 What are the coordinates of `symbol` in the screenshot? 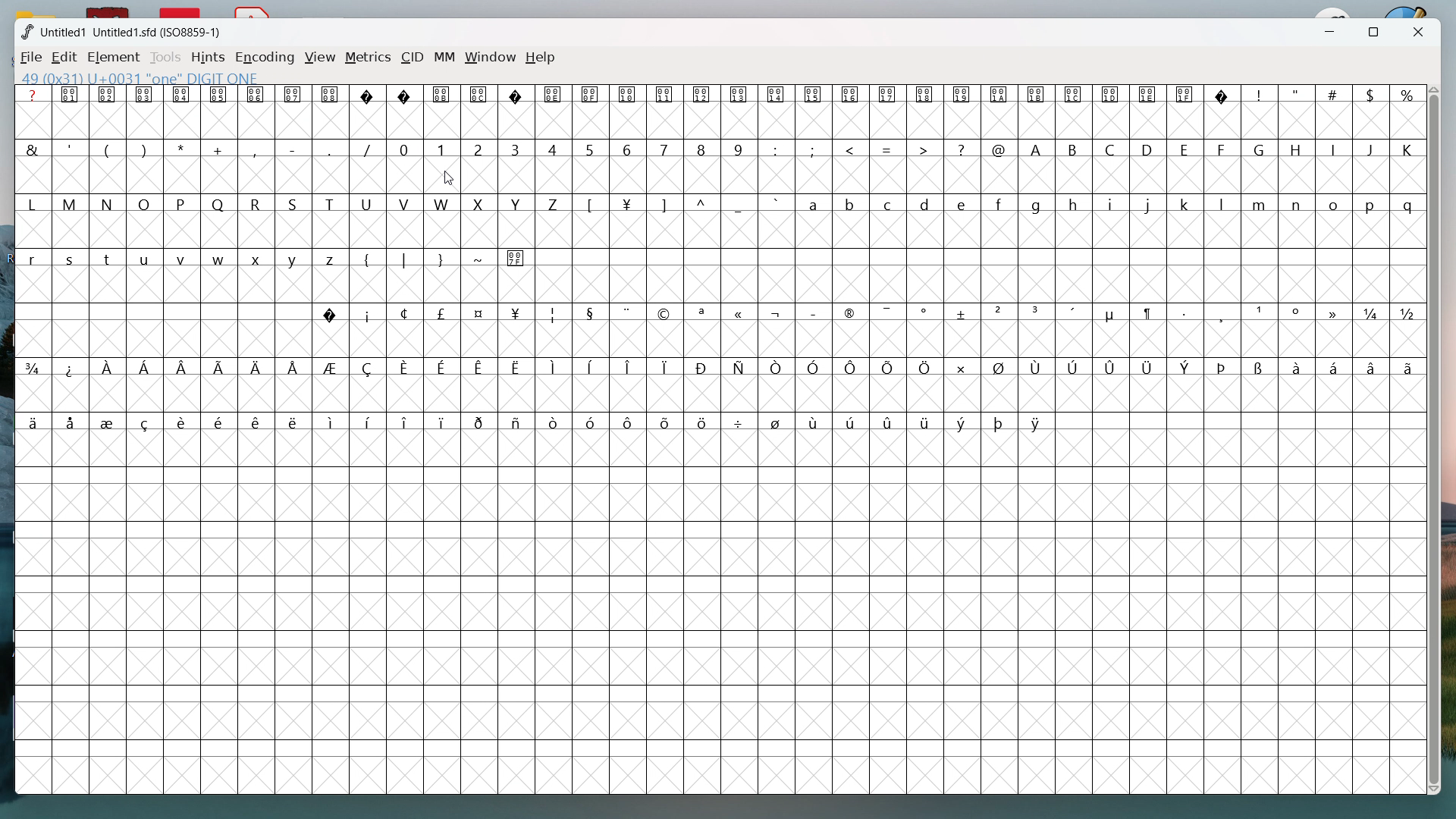 It's located at (591, 94).